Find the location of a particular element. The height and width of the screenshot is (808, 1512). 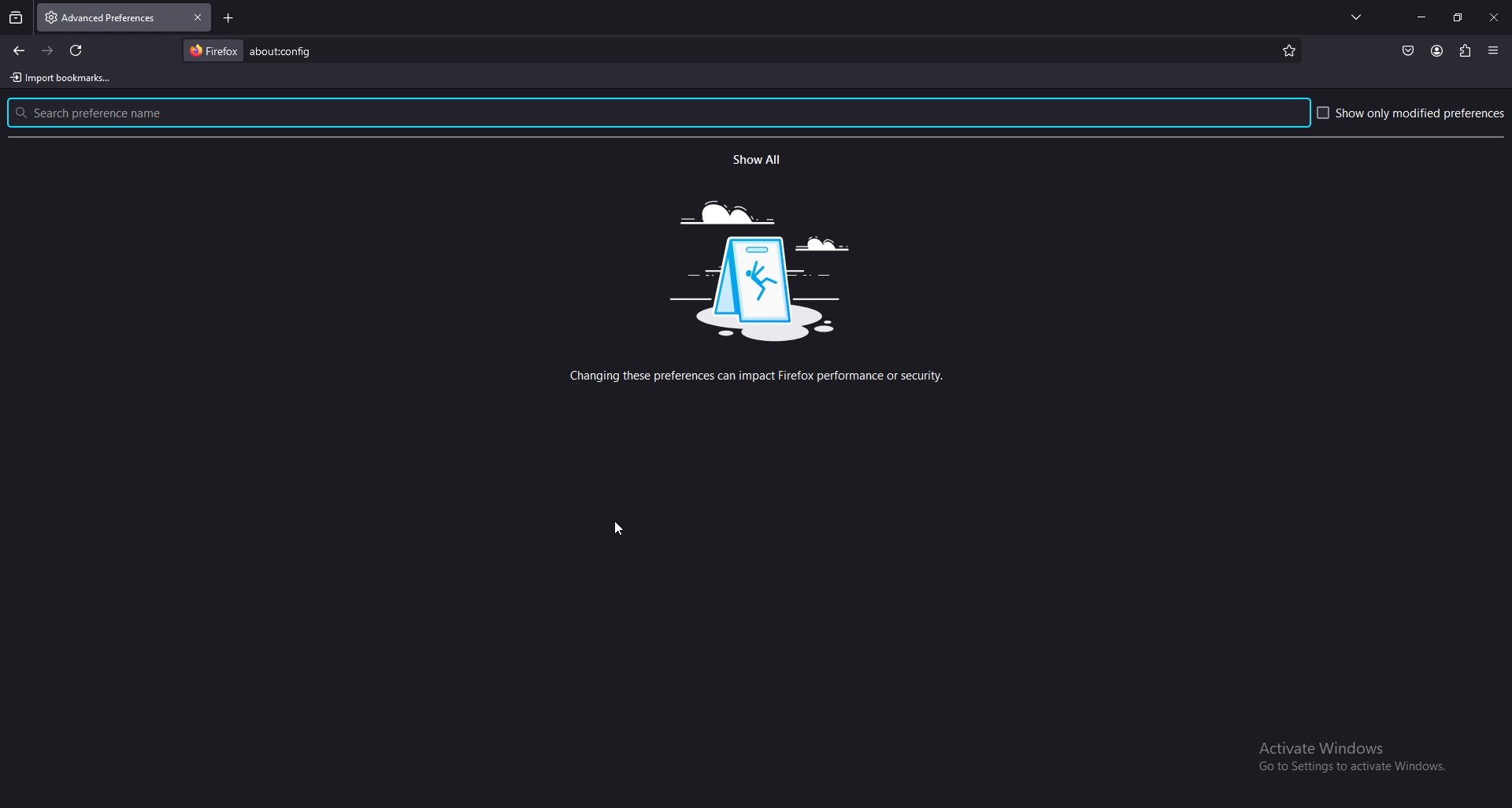

forward is located at coordinates (48, 50).